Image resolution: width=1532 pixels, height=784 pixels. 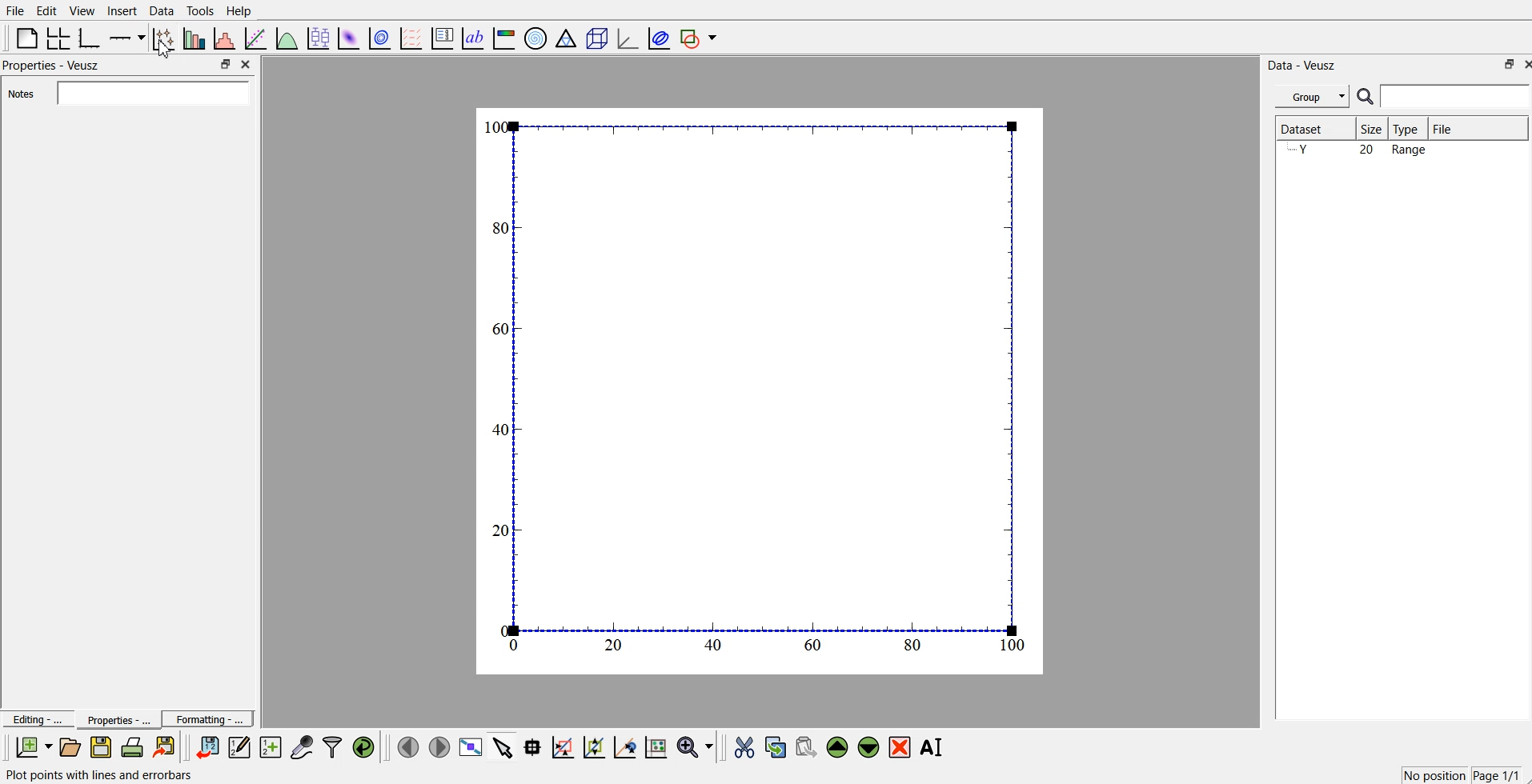 What do you see at coordinates (563, 746) in the screenshot?
I see `click to draw rectangle` at bounding box center [563, 746].